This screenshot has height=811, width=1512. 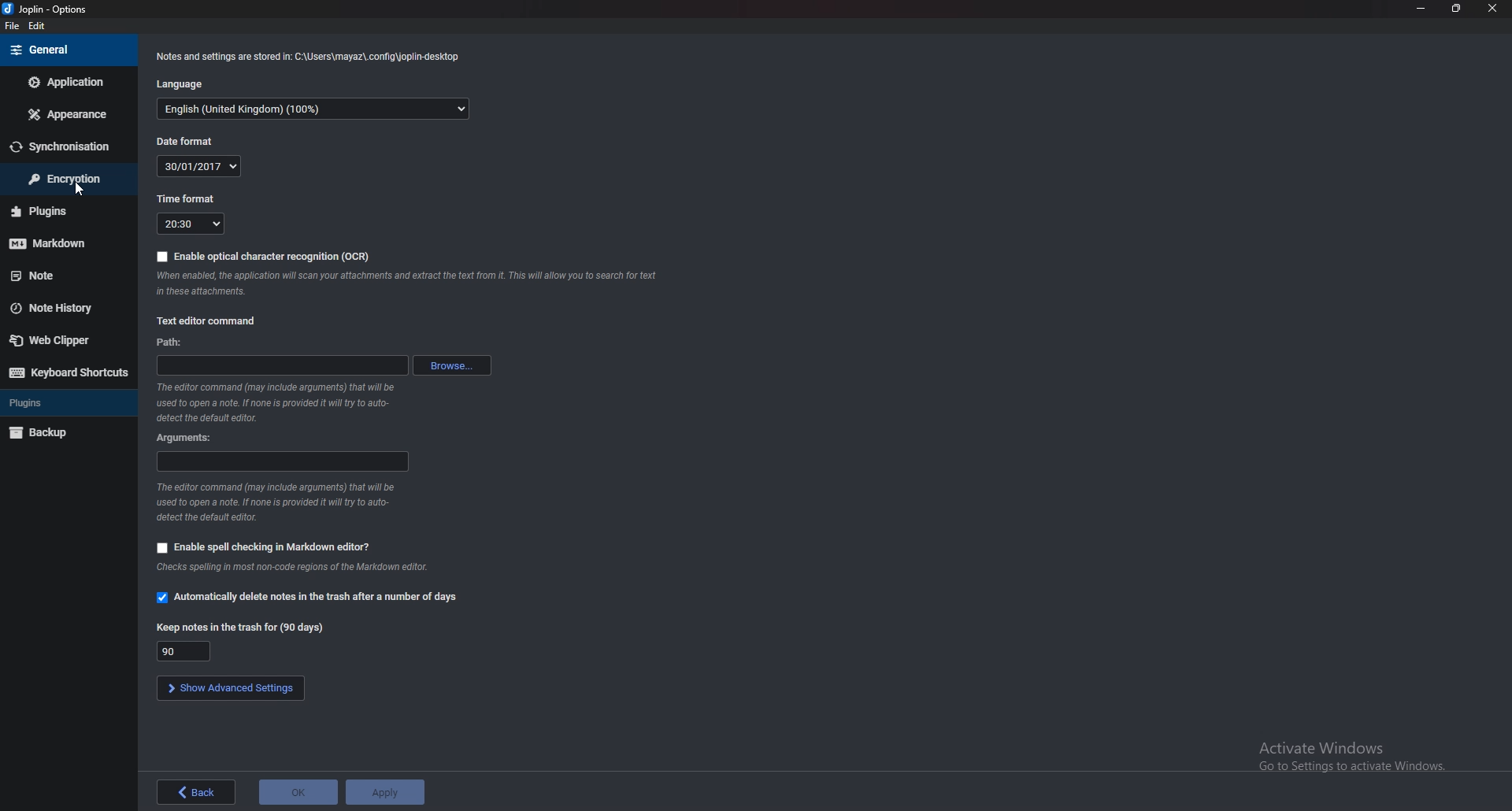 What do you see at coordinates (296, 792) in the screenshot?
I see `ok` at bounding box center [296, 792].